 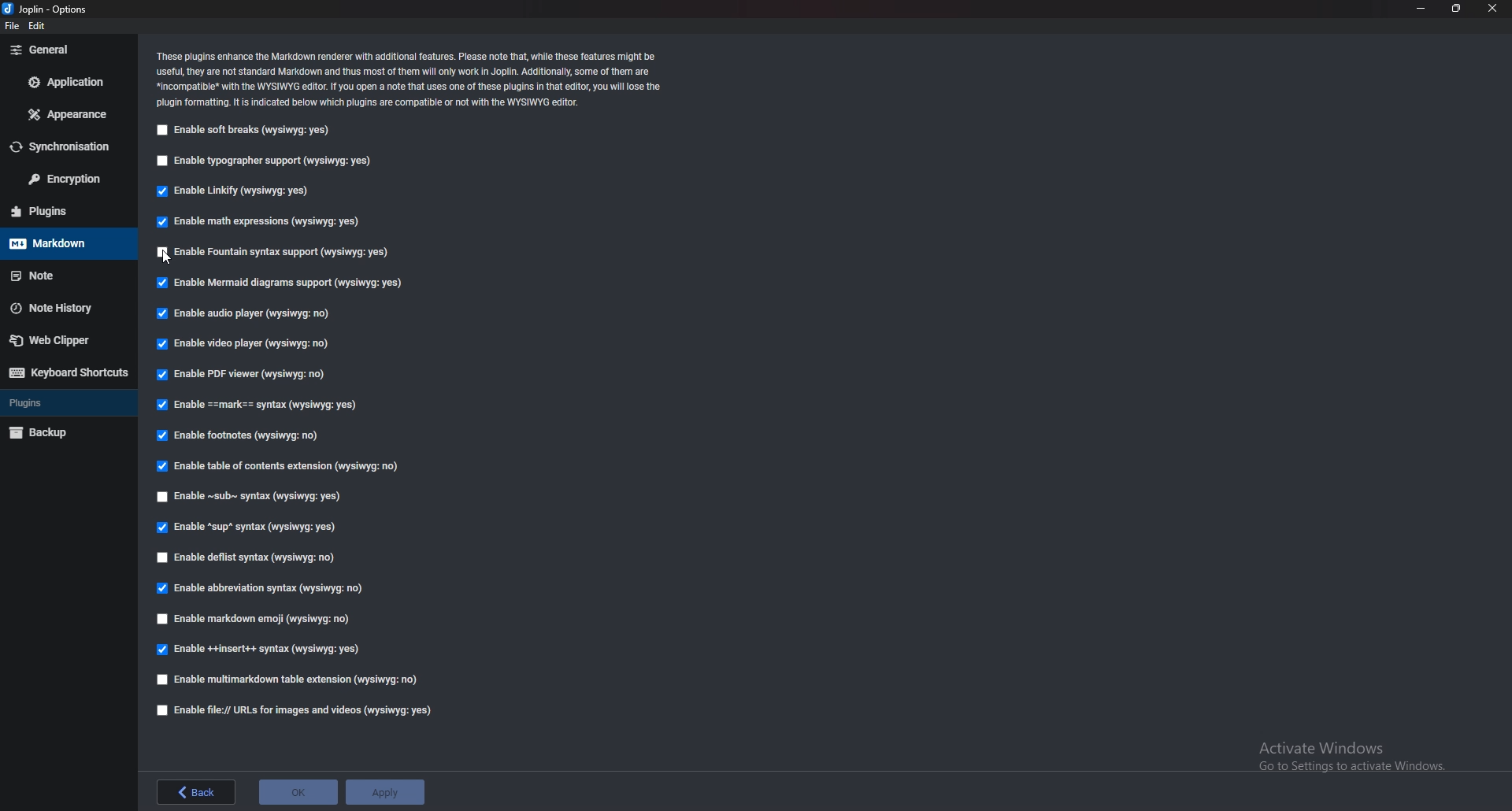 What do you see at coordinates (286, 283) in the screenshot?
I see `Enable mermaid diagrams` at bounding box center [286, 283].